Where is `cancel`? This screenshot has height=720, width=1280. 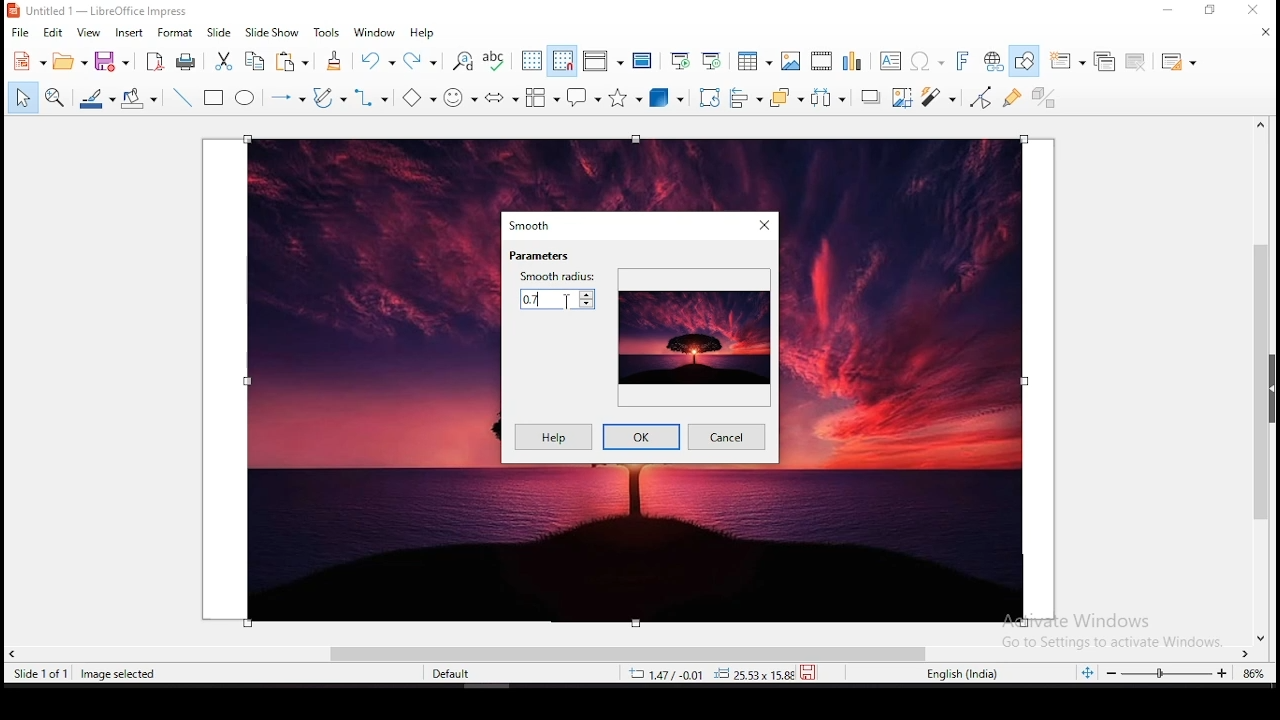
cancel is located at coordinates (729, 438).